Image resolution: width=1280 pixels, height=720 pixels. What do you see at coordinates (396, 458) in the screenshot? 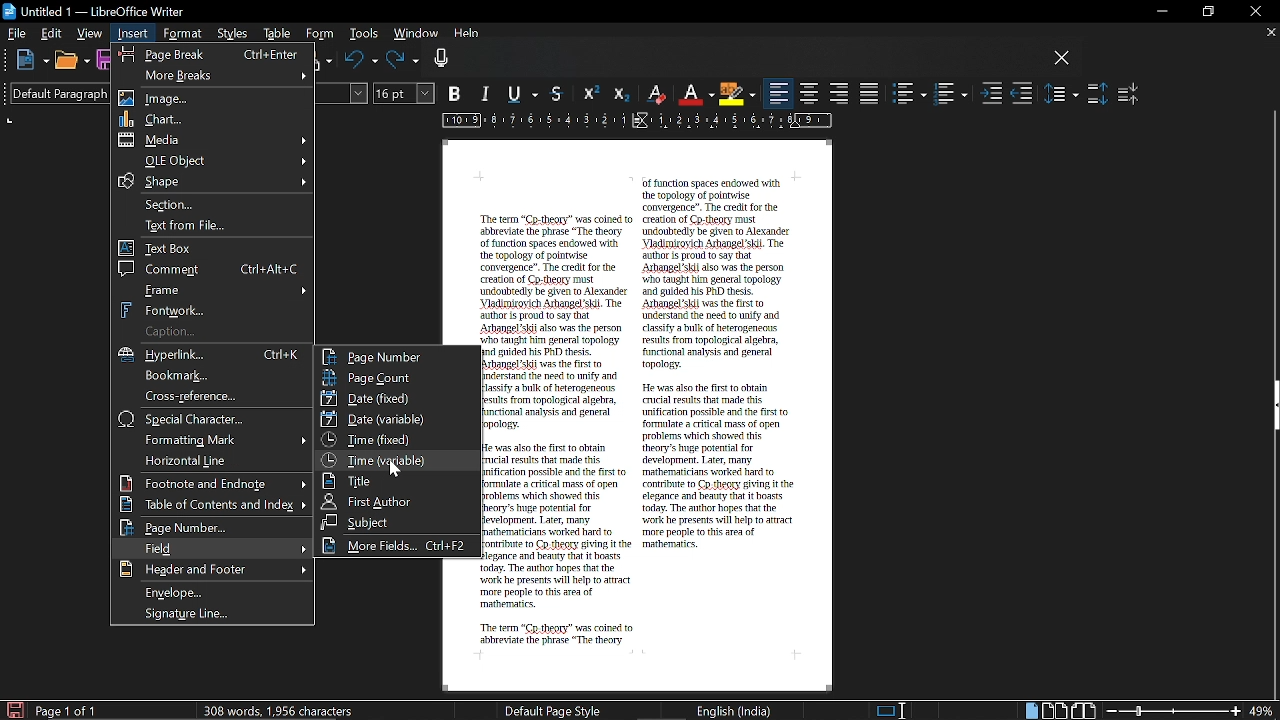
I see `Time variable` at bounding box center [396, 458].